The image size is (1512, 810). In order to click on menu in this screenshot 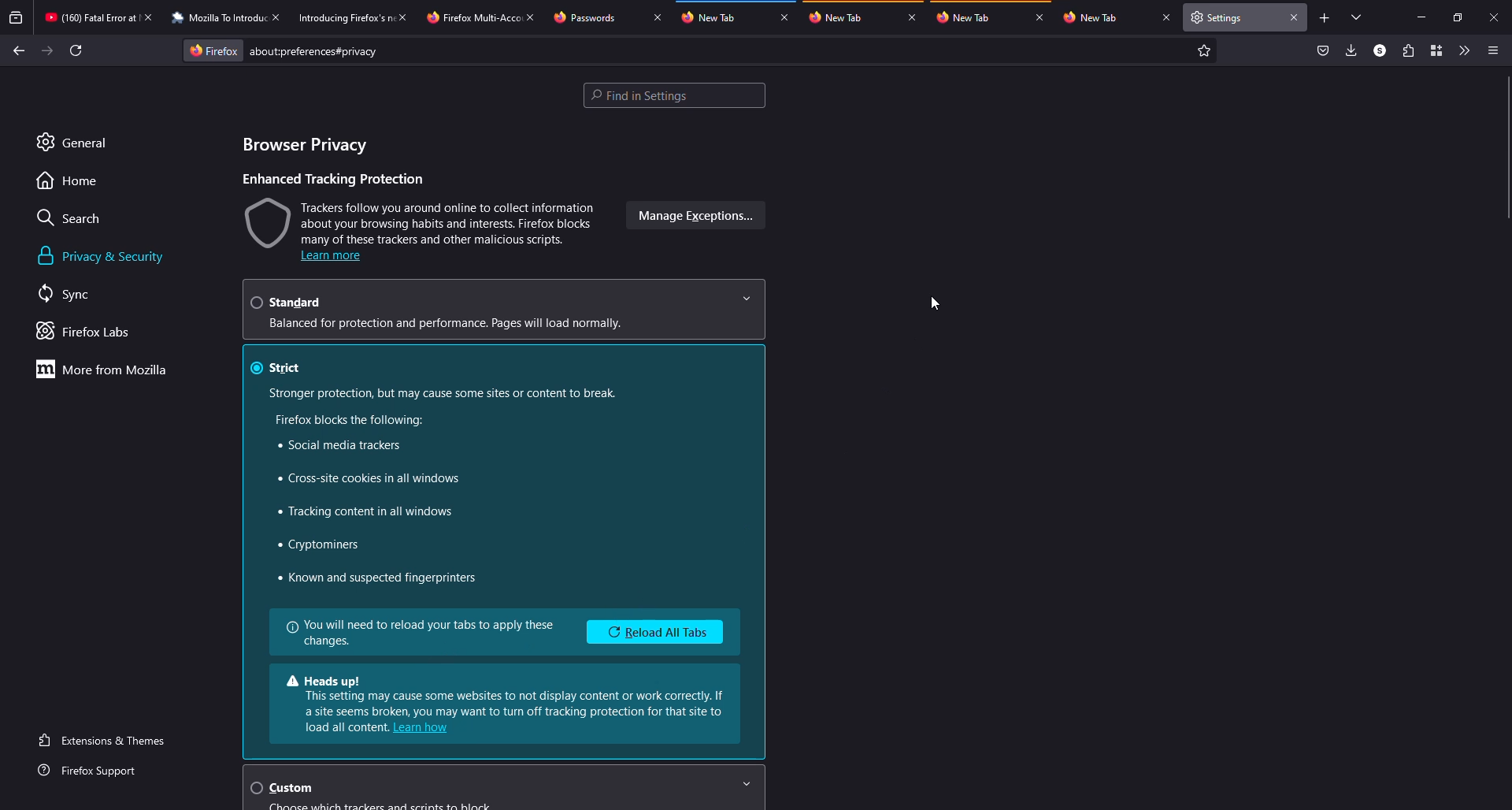, I will do `click(1492, 50)`.